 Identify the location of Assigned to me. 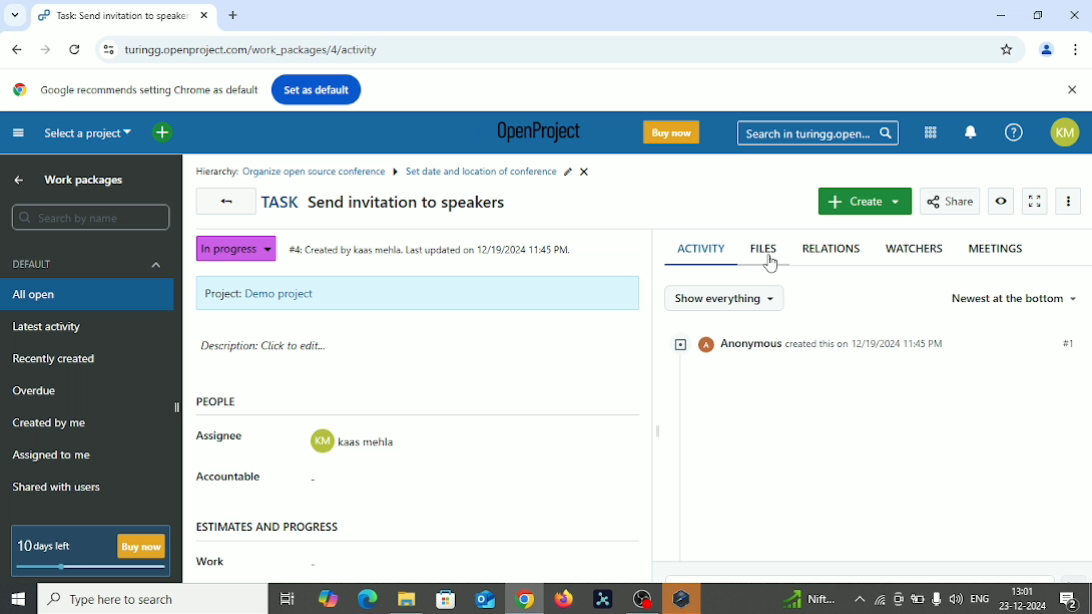
(52, 454).